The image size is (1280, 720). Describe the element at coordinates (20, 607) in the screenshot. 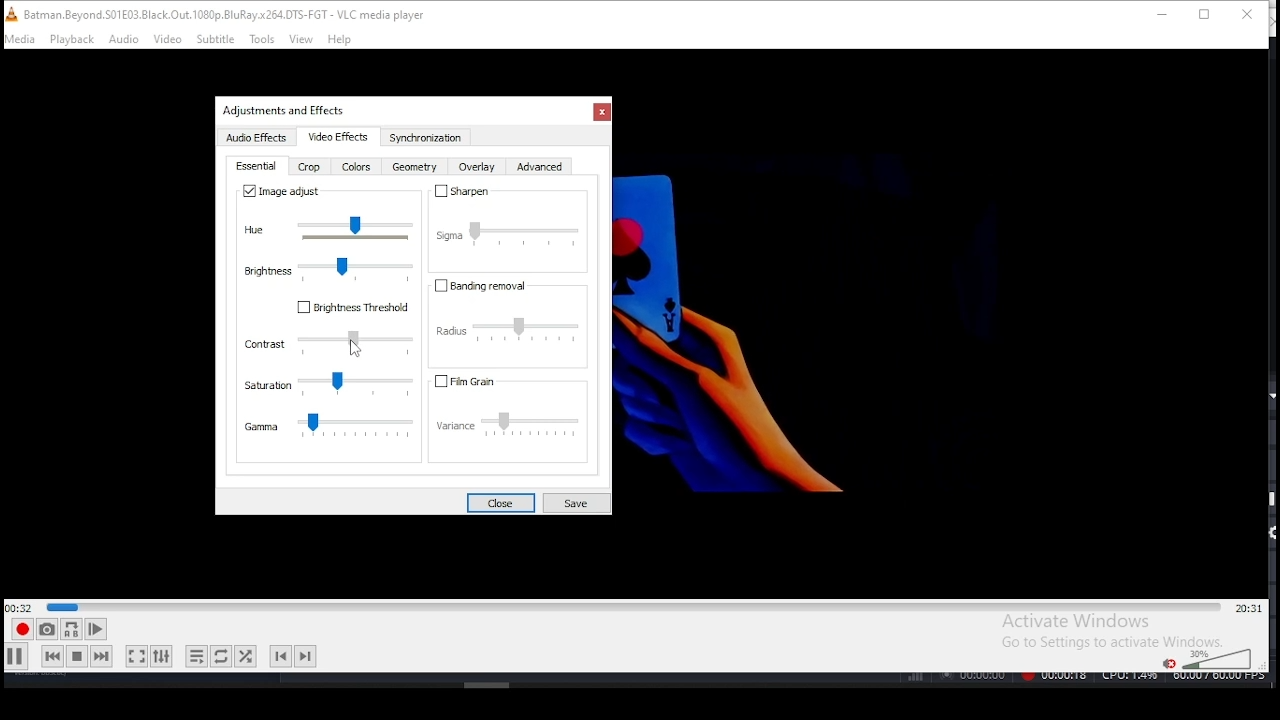

I see `elapsed time` at that location.